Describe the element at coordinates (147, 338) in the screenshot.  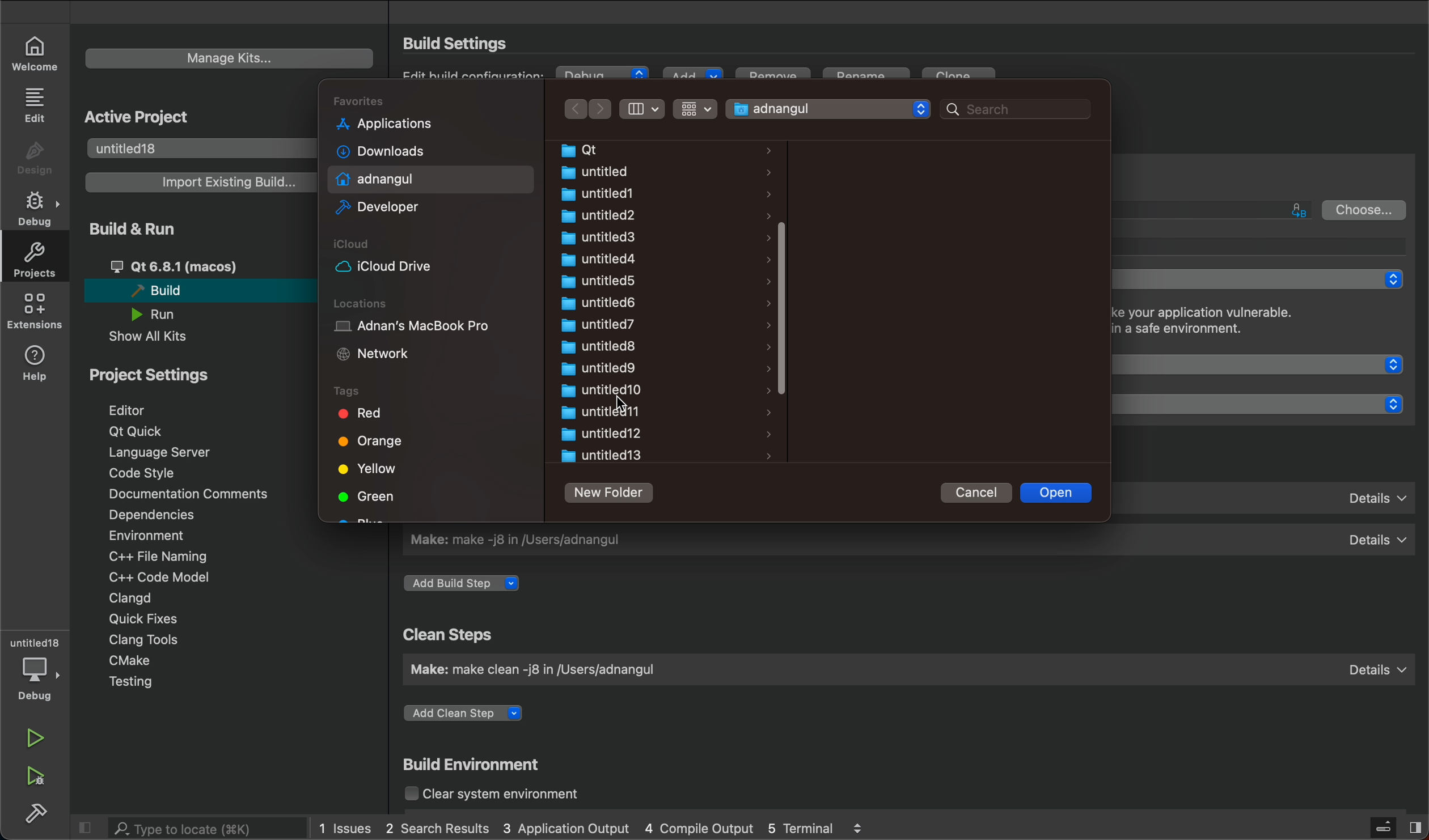
I see `show all kits` at that location.